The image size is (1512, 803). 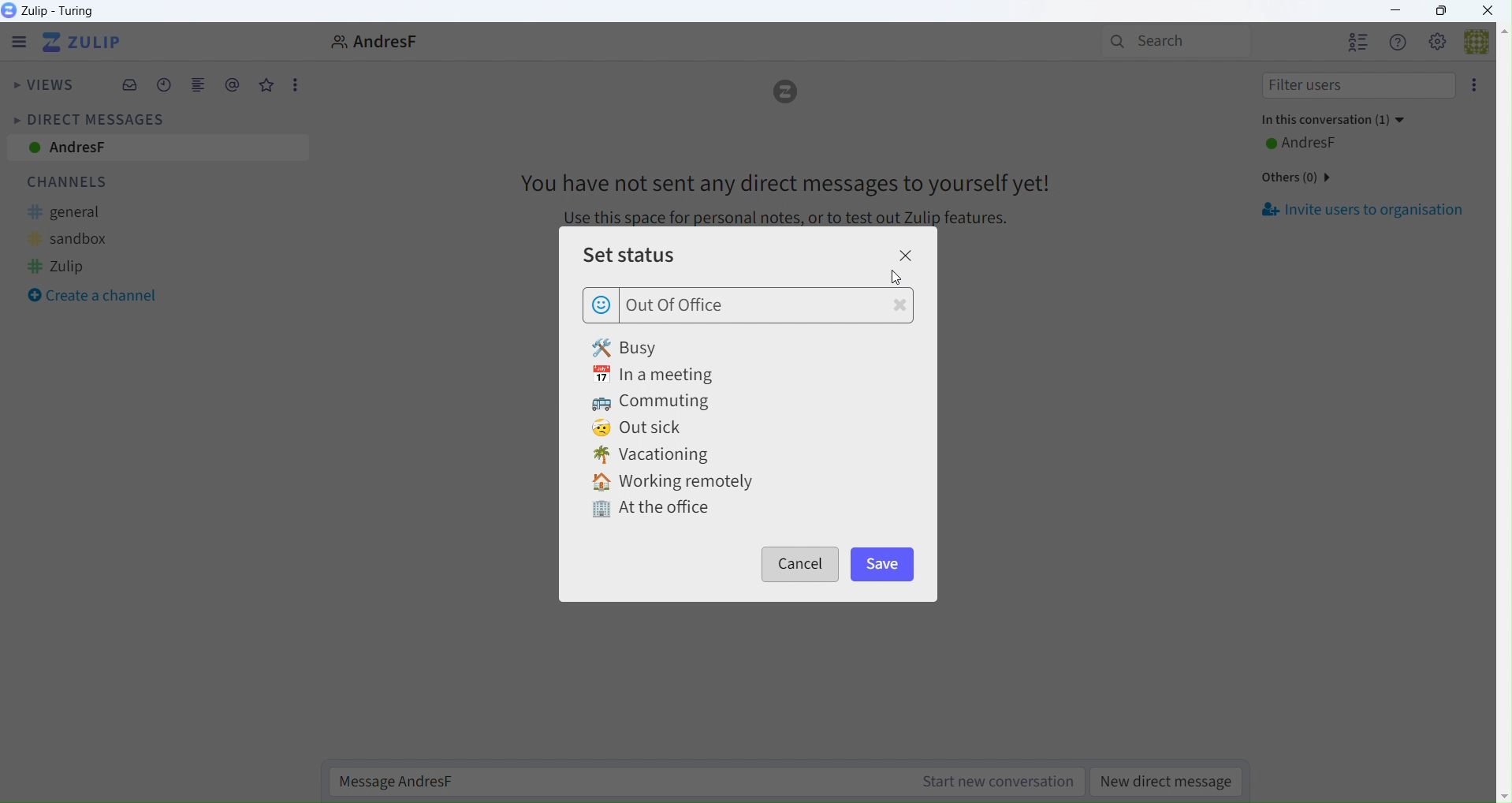 I want to click on Invite Users to Organization, so click(x=1367, y=211).